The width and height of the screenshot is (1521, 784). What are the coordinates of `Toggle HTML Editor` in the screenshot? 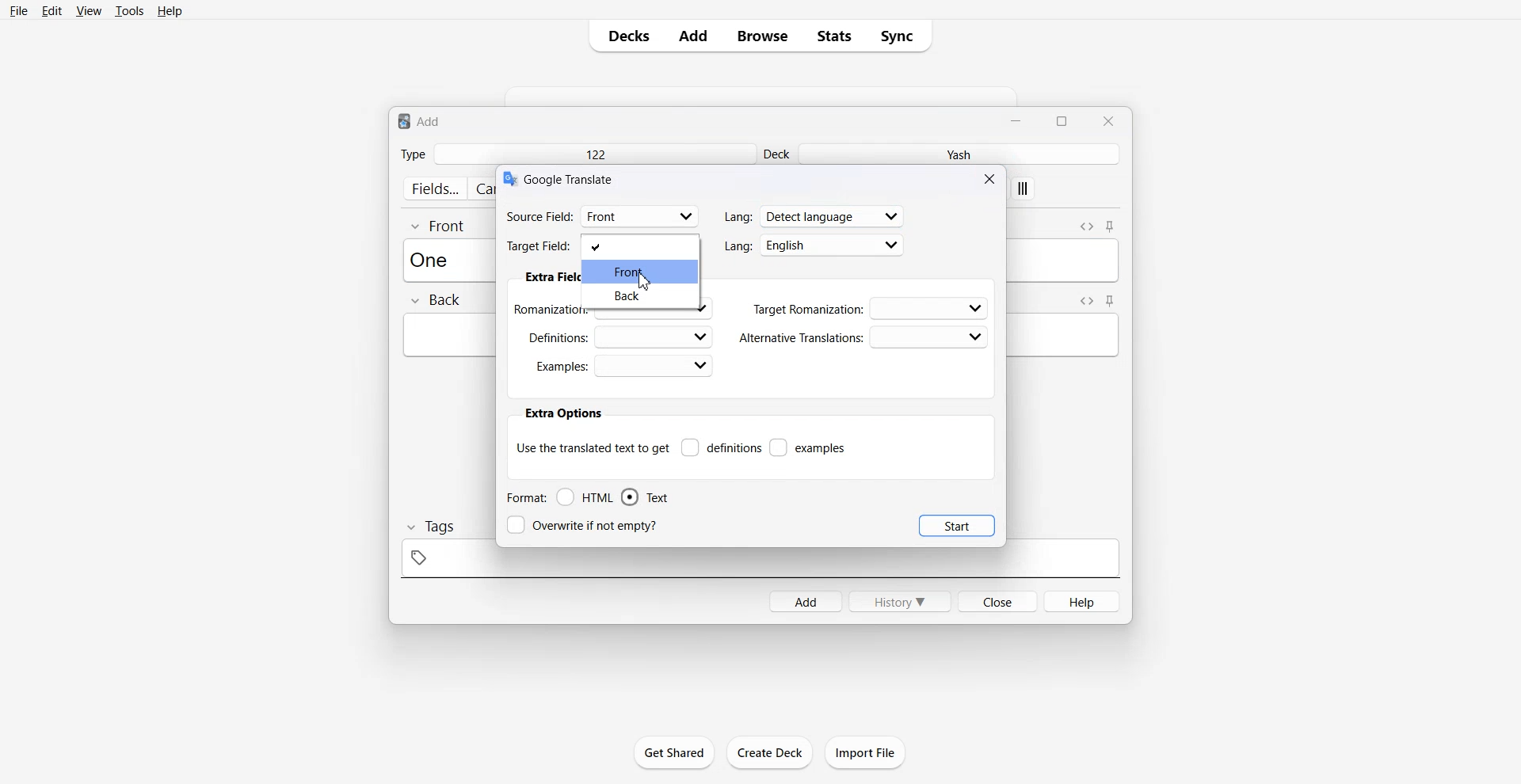 It's located at (1086, 225).